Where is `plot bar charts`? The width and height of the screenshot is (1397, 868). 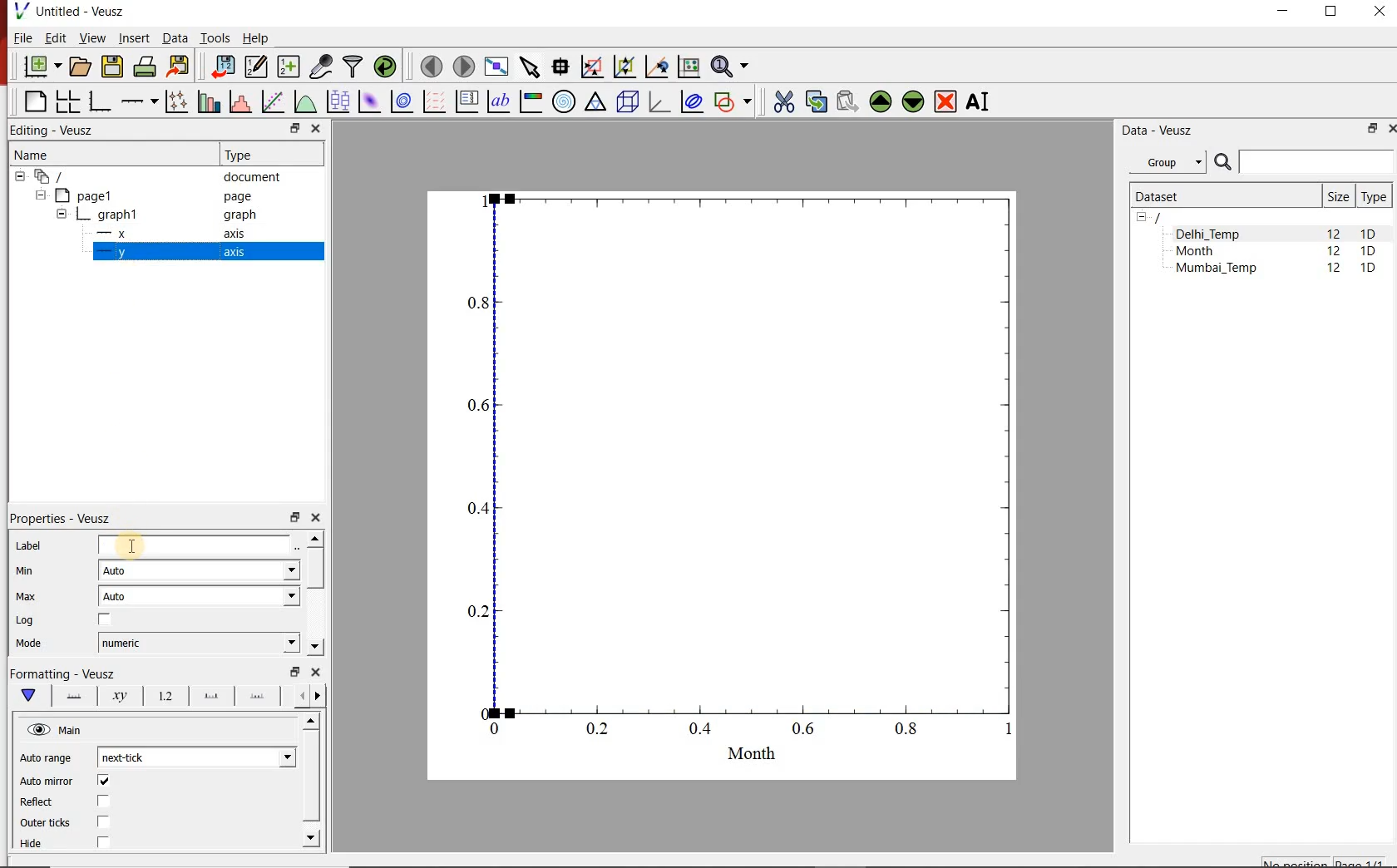
plot bar charts is located at coordinates (206, 102).